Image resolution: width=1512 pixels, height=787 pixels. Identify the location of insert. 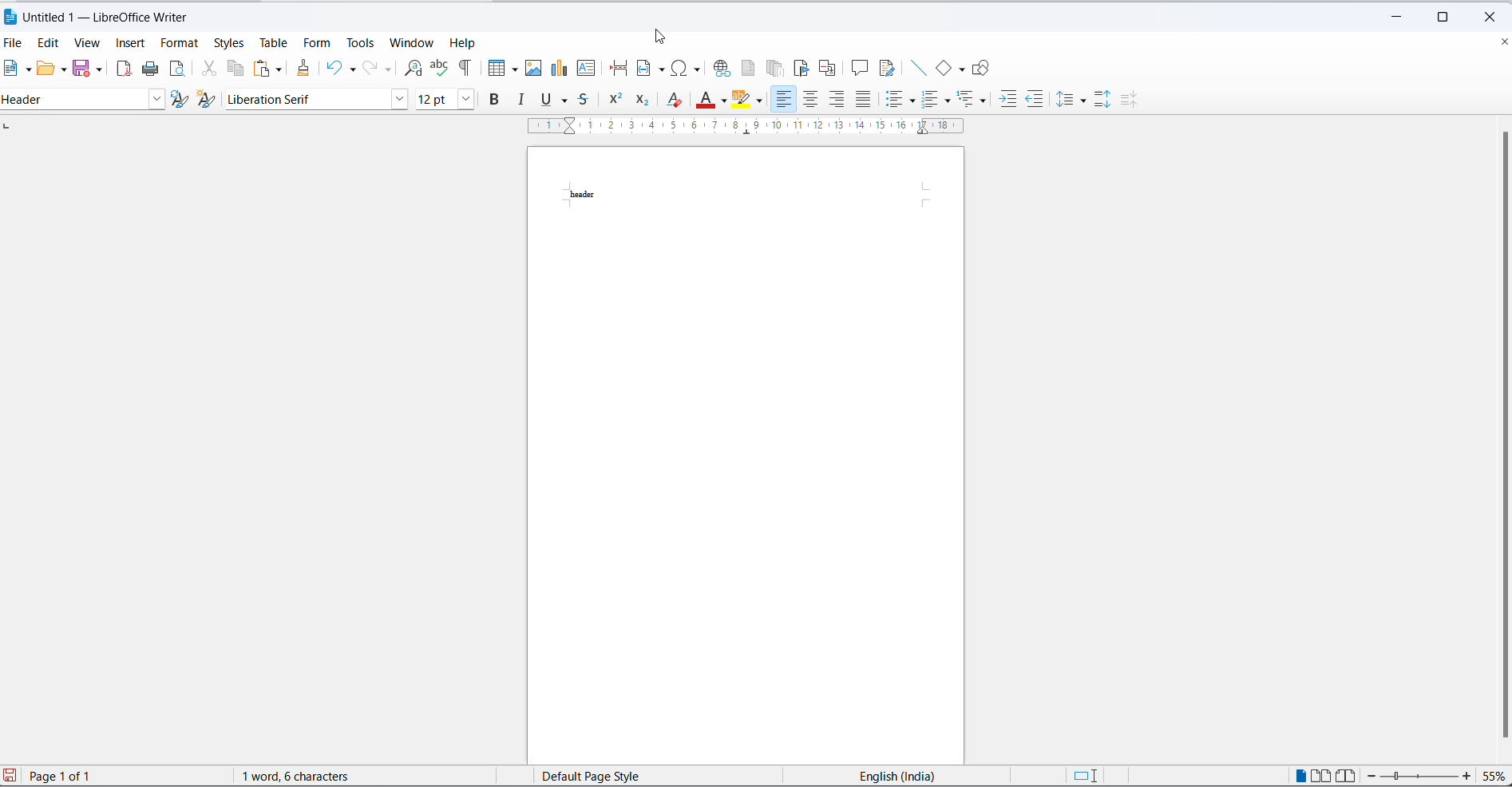
(133, 44).